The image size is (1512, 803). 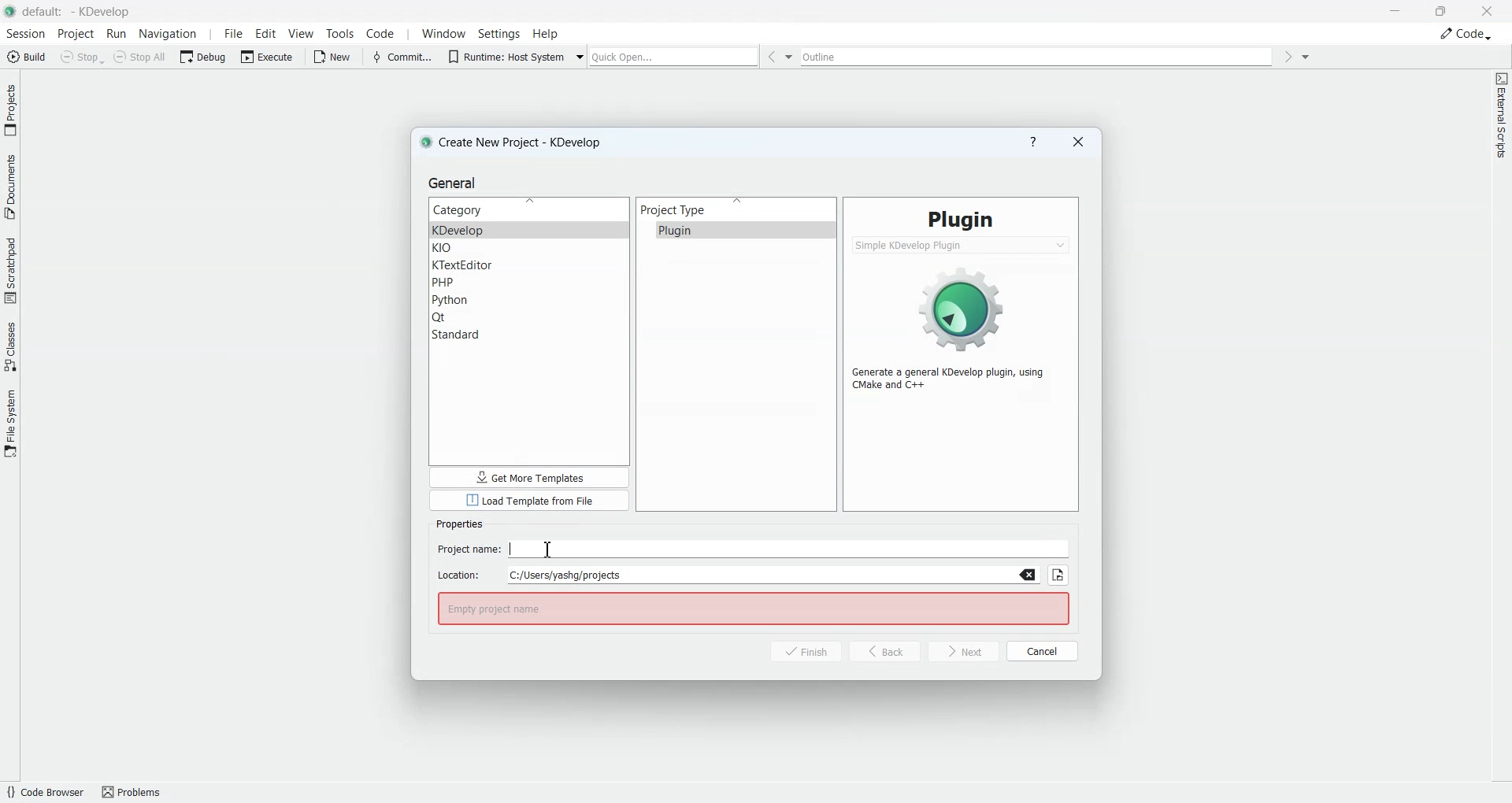 I want to click on next, so click(x=964, y=652).